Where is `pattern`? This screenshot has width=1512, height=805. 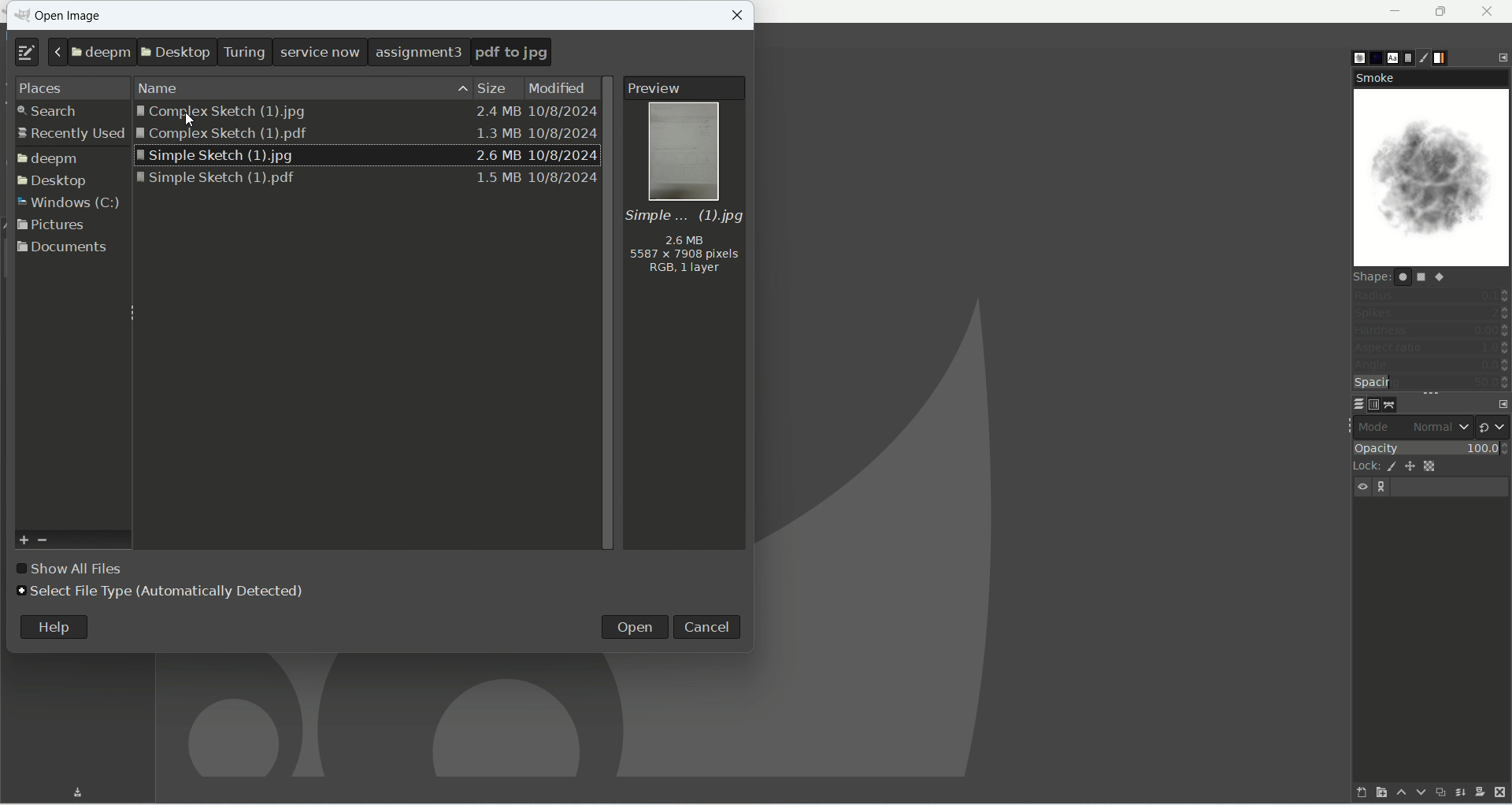
pattern is located at coordinates (1374, 57).